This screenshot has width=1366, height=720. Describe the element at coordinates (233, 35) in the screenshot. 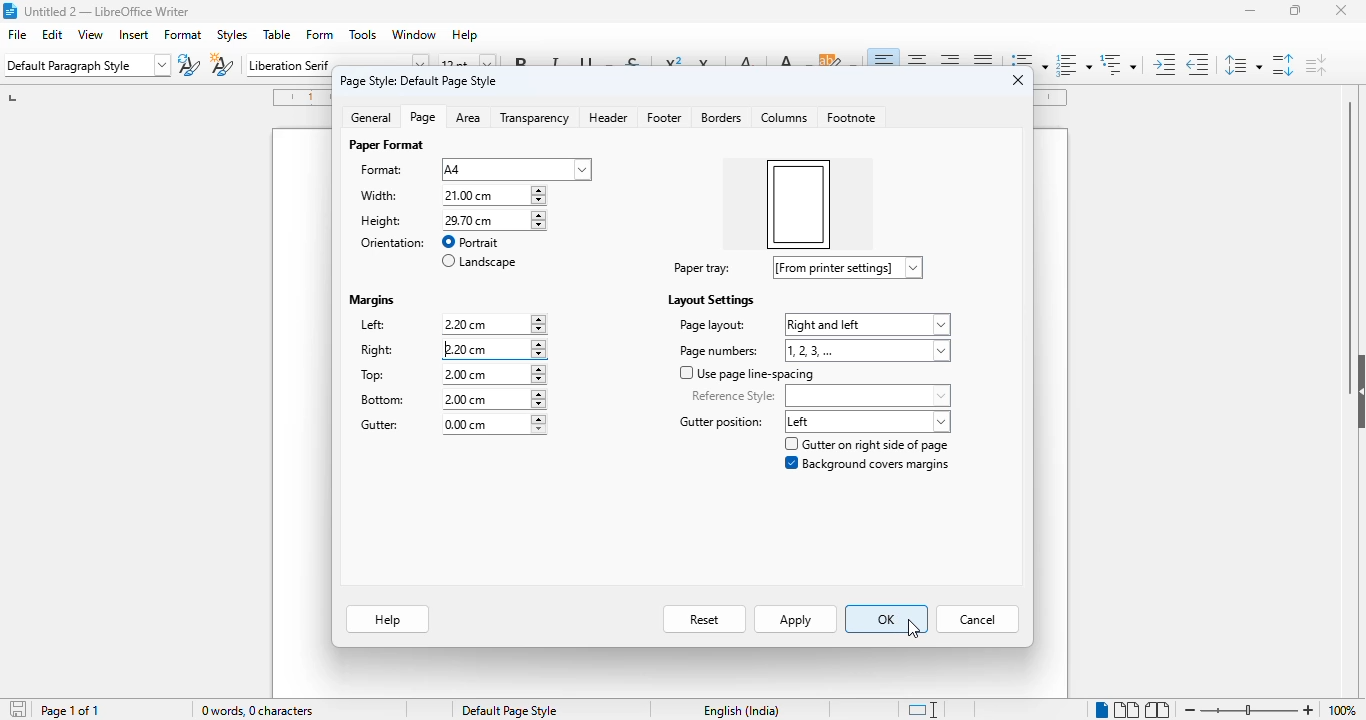

I see `styles` at that location.